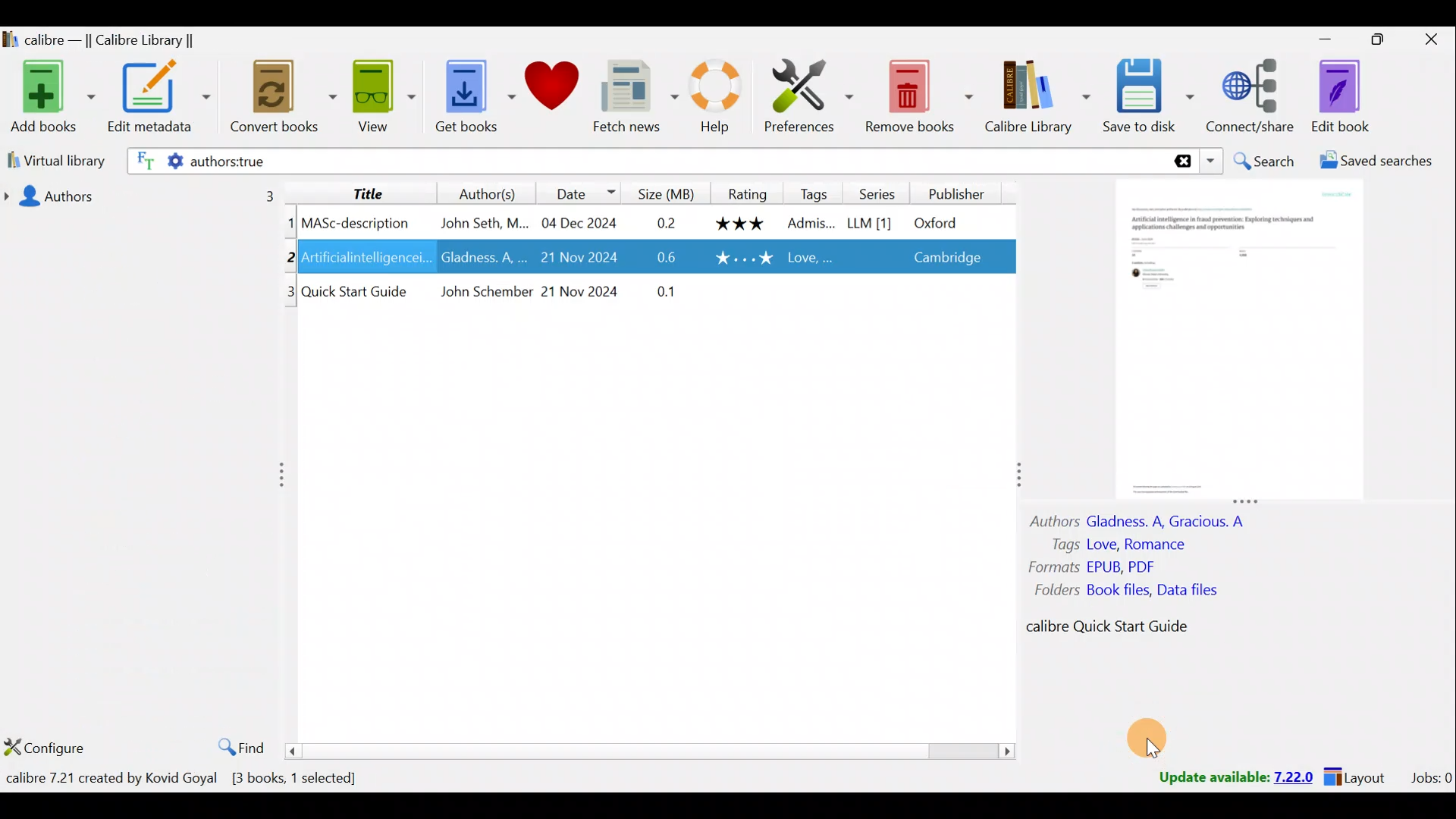 The image size is (1456, 819). Describe the element at coordinates (459, 99) in the screenshot. I see `Get books` at that location.